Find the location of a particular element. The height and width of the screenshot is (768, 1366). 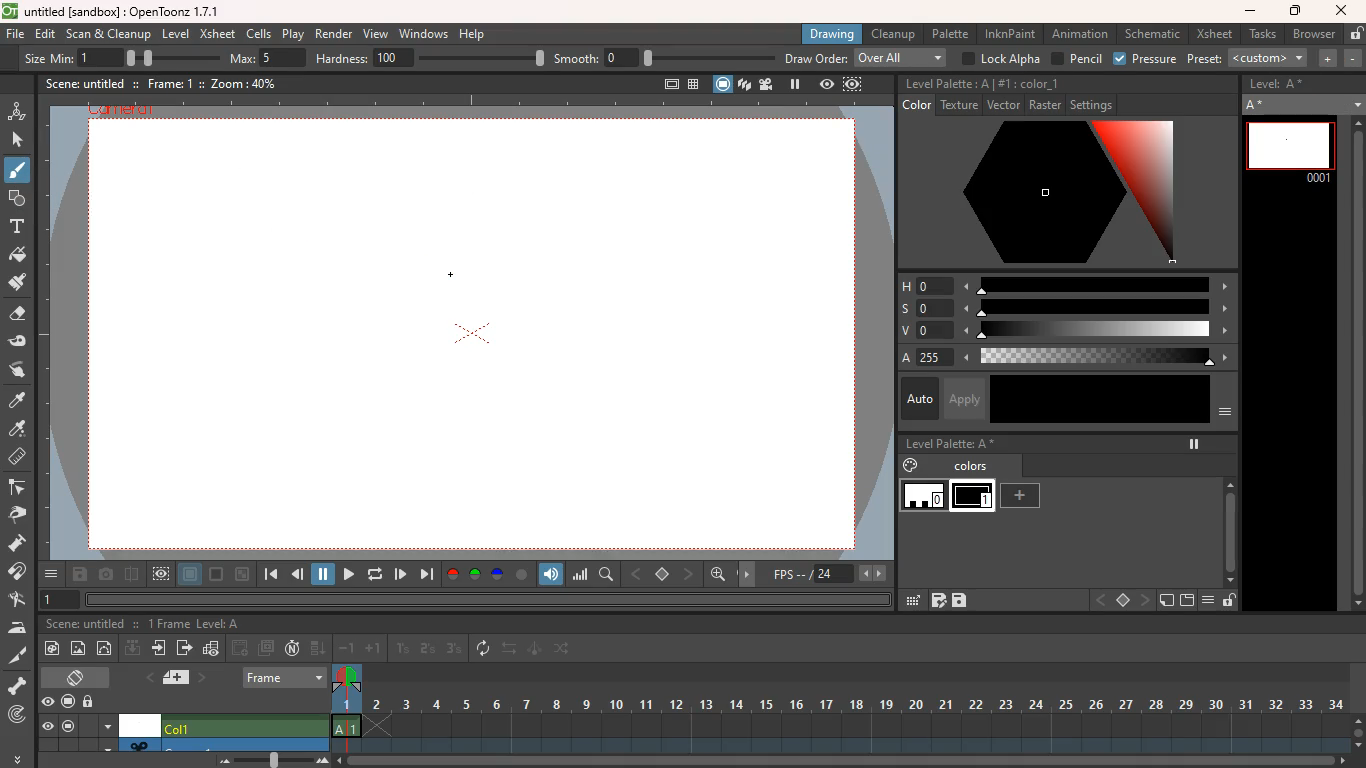

screen is located at coordinates (1187, 601).